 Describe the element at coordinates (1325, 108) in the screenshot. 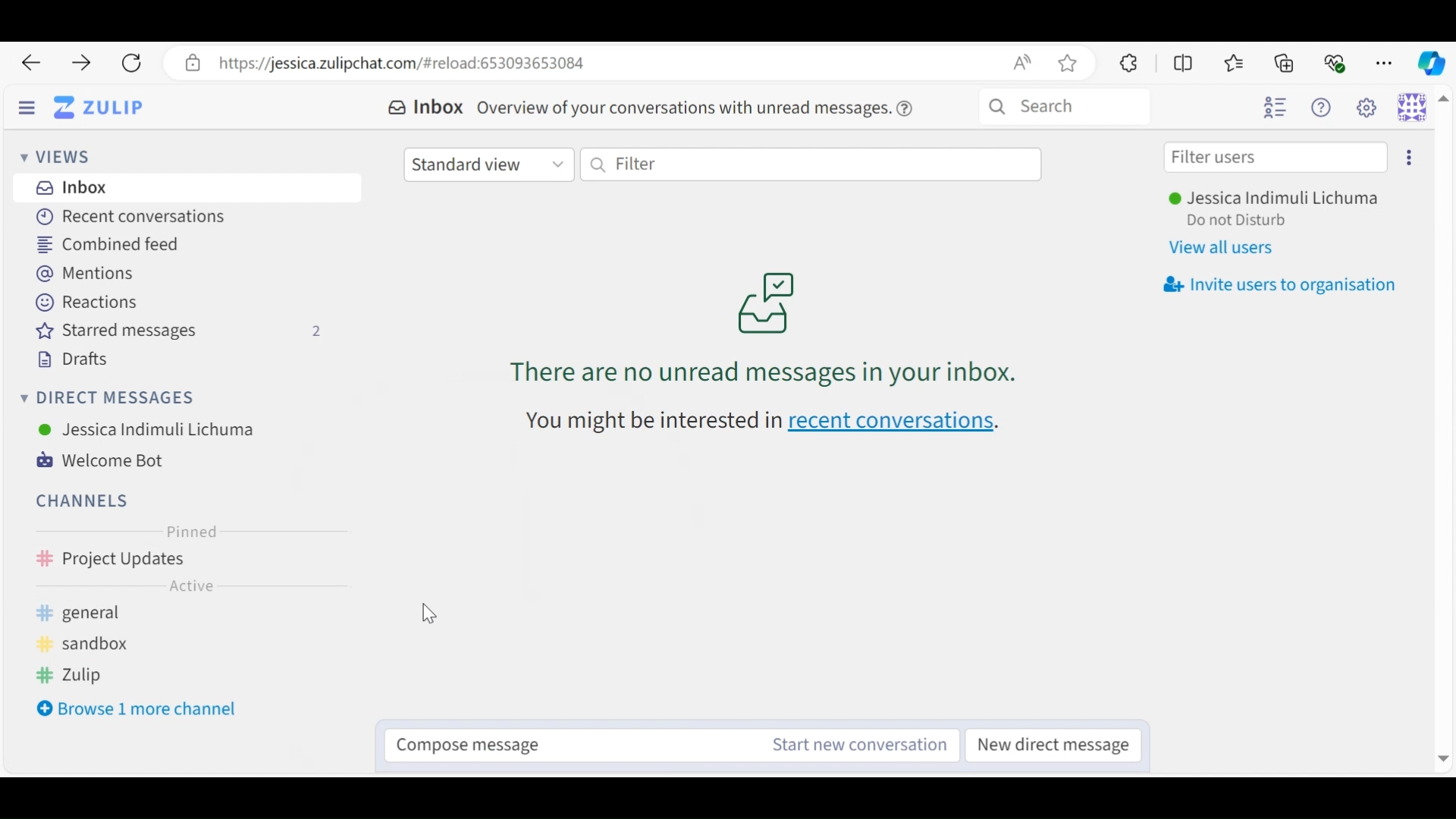

I see `Help Menu` at that location.